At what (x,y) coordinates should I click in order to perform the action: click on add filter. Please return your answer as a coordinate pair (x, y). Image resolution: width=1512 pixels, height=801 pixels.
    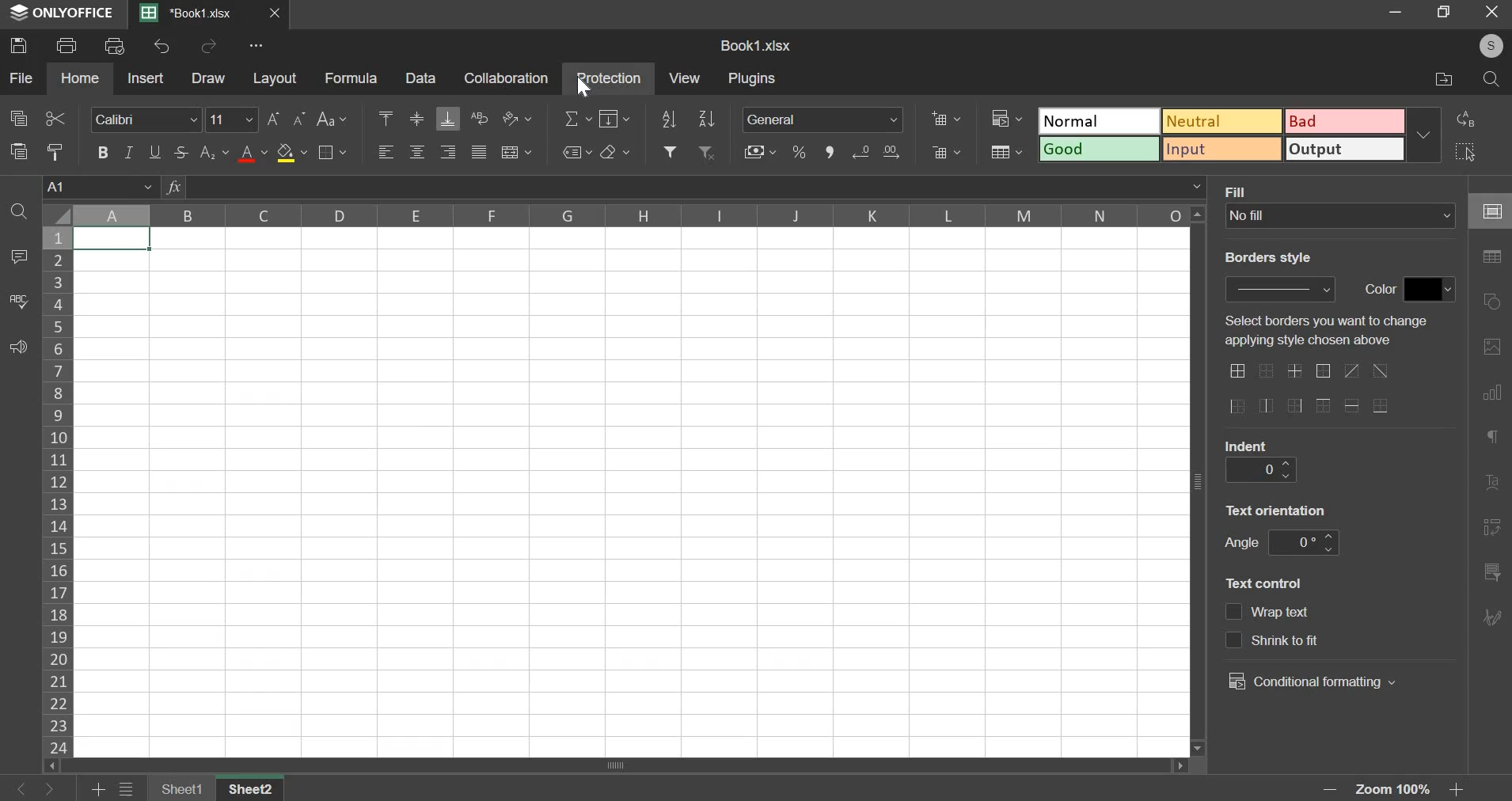
    Looking at the image, I should click on (671, 150).